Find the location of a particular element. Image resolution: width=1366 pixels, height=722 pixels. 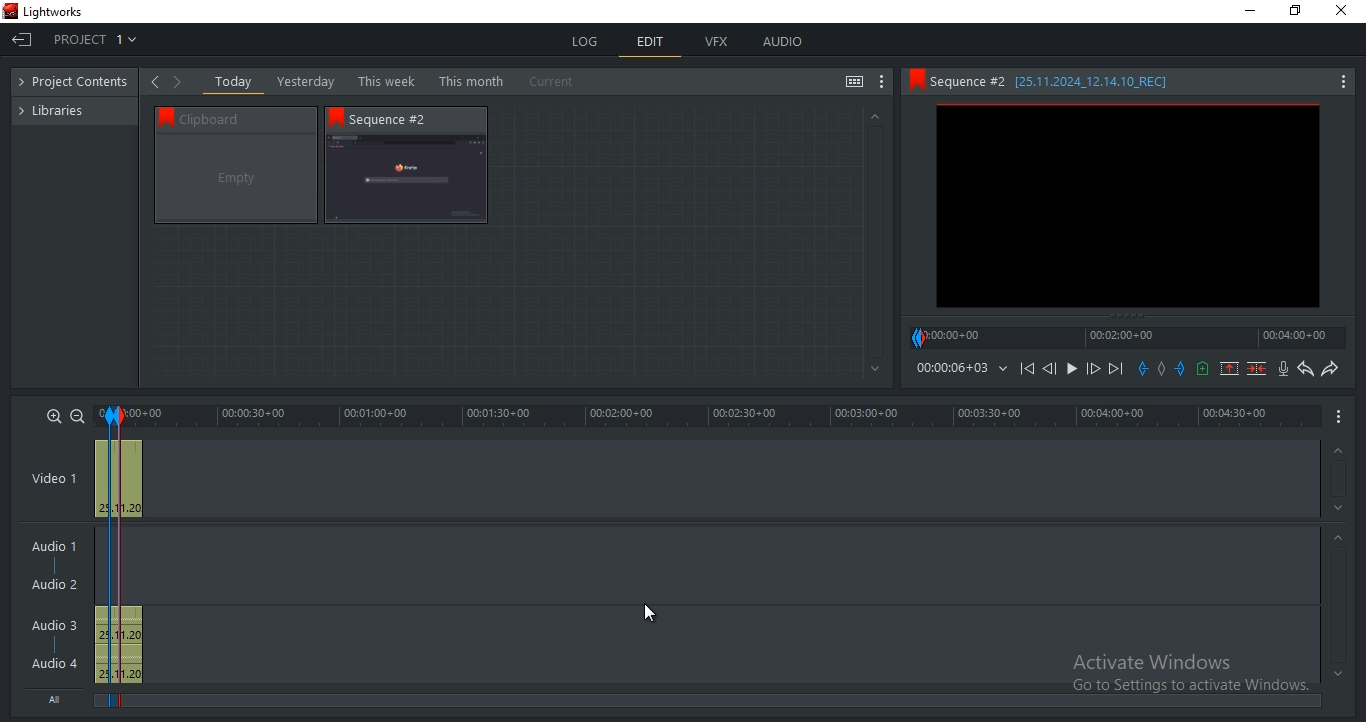

delete marked section is located at coordinates (1258, 368).